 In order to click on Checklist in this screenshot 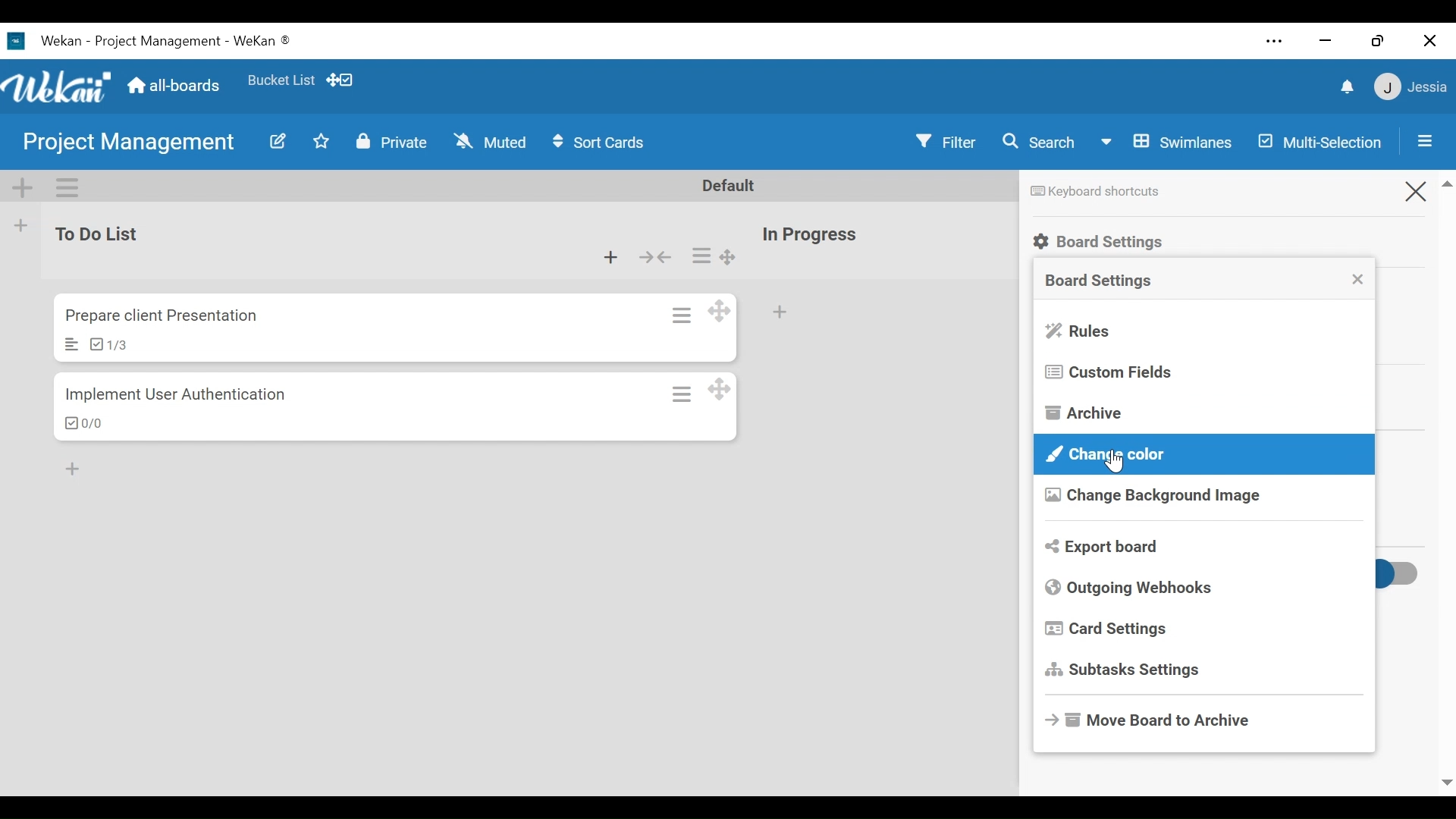, I will do `click(106, 344)`.